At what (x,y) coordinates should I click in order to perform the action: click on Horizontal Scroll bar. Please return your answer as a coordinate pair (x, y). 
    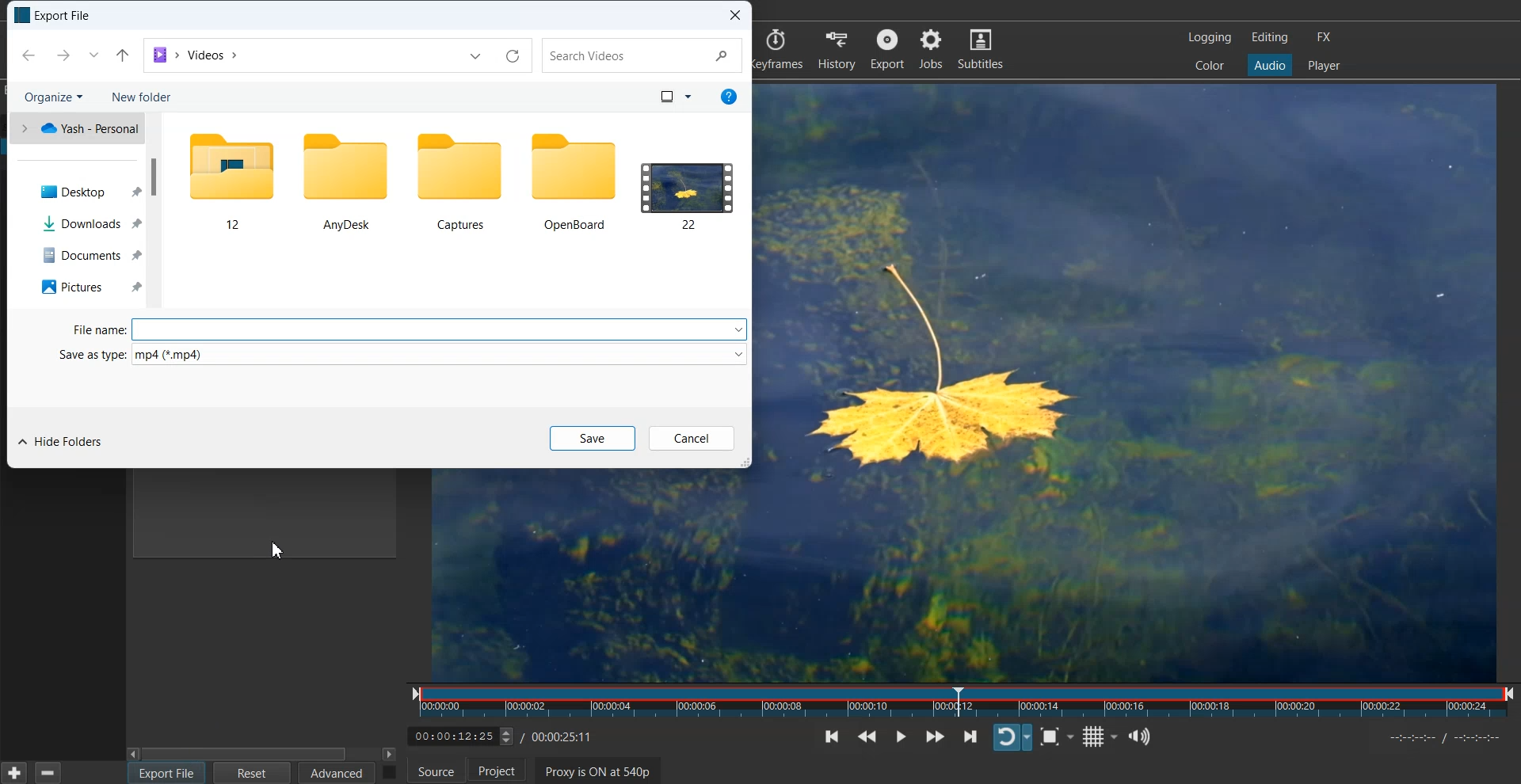
    Looking at the image, I should click on (262, 751).